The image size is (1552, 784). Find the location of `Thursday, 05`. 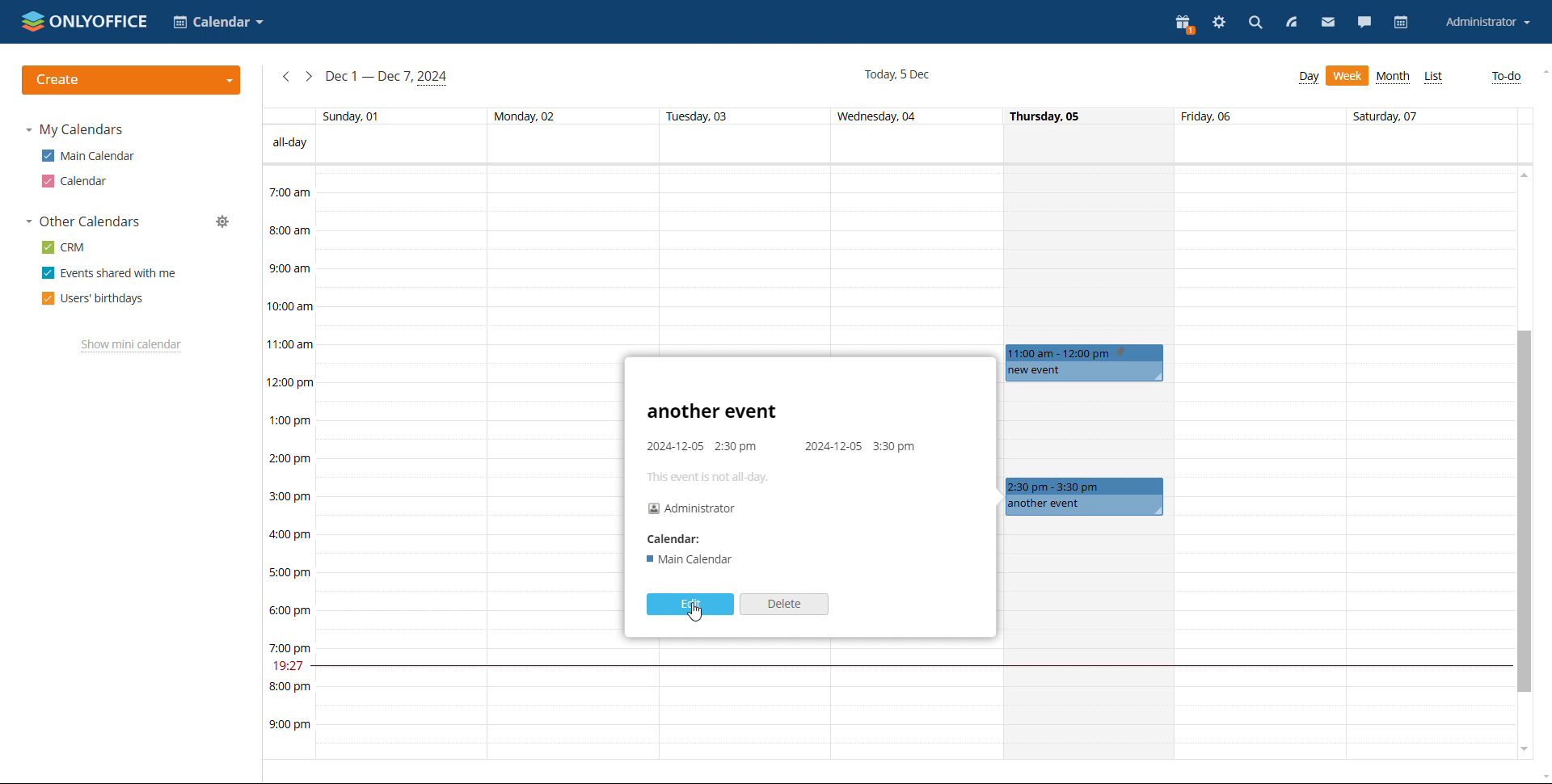

Thursday, 05 is located at coordinates (1047, 116).